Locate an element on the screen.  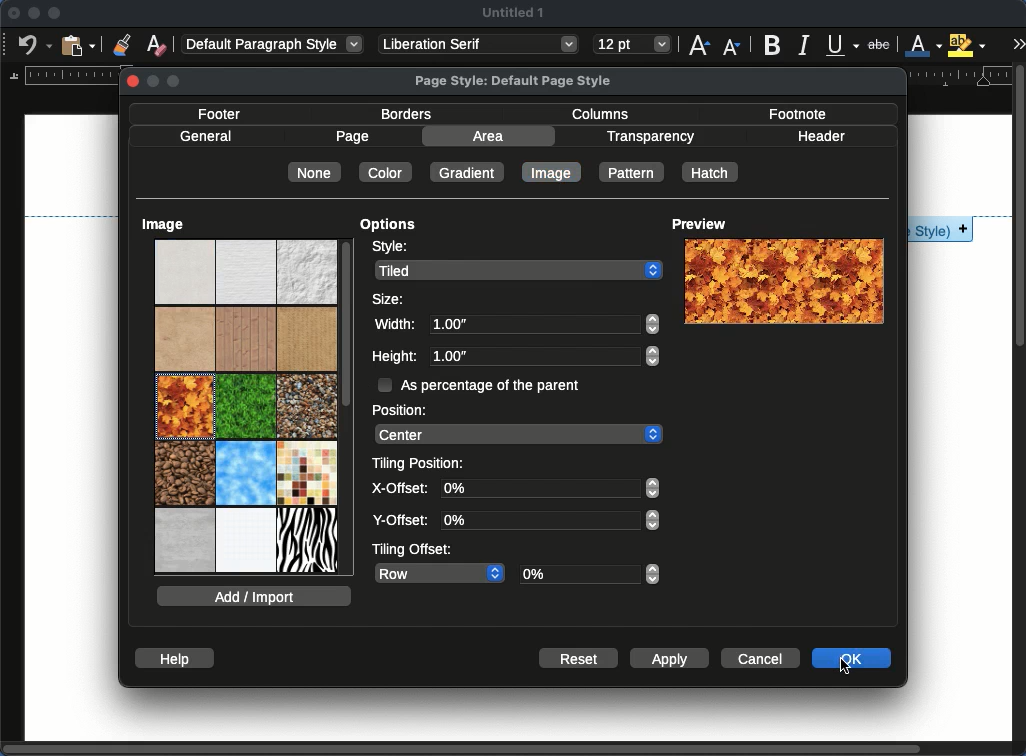
close is located at coordinates (14, 13).